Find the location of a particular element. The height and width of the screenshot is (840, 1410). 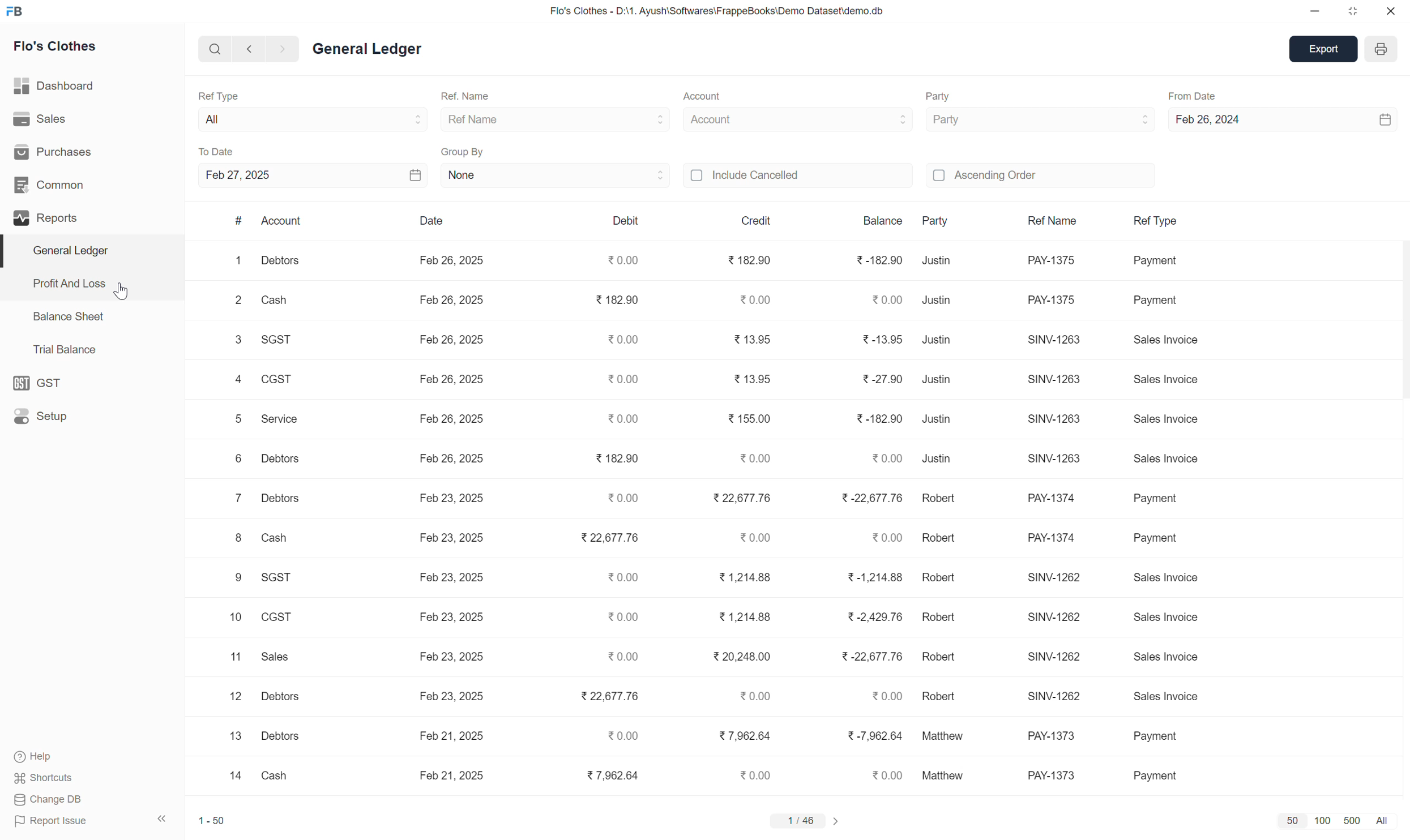

Trial Balance is located at coordinates (67, 349).